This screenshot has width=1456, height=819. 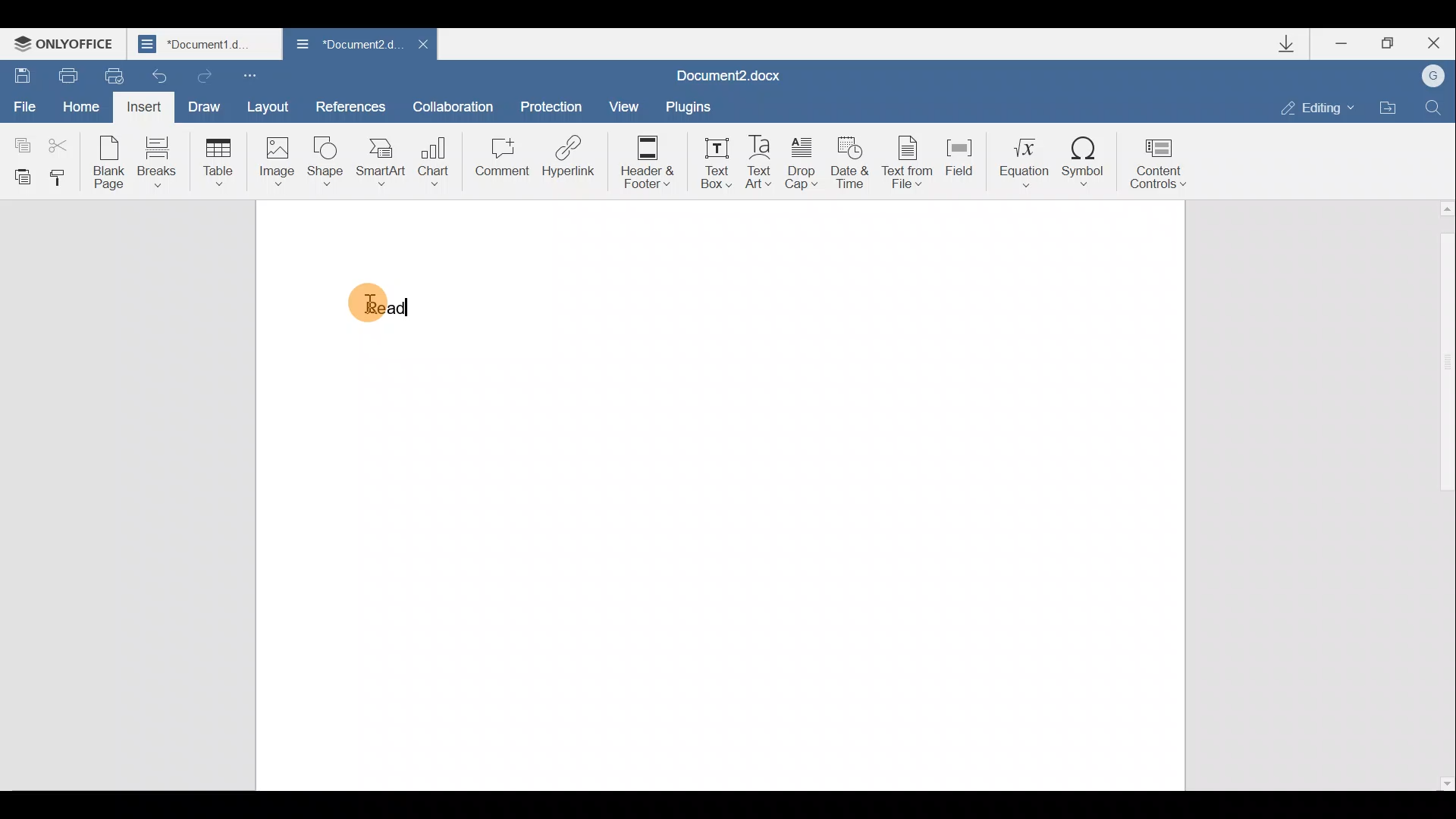 What do you see at coordinates (909, 165) in the screenshot?
I see `Text from file` at bounding box center [909, 165].